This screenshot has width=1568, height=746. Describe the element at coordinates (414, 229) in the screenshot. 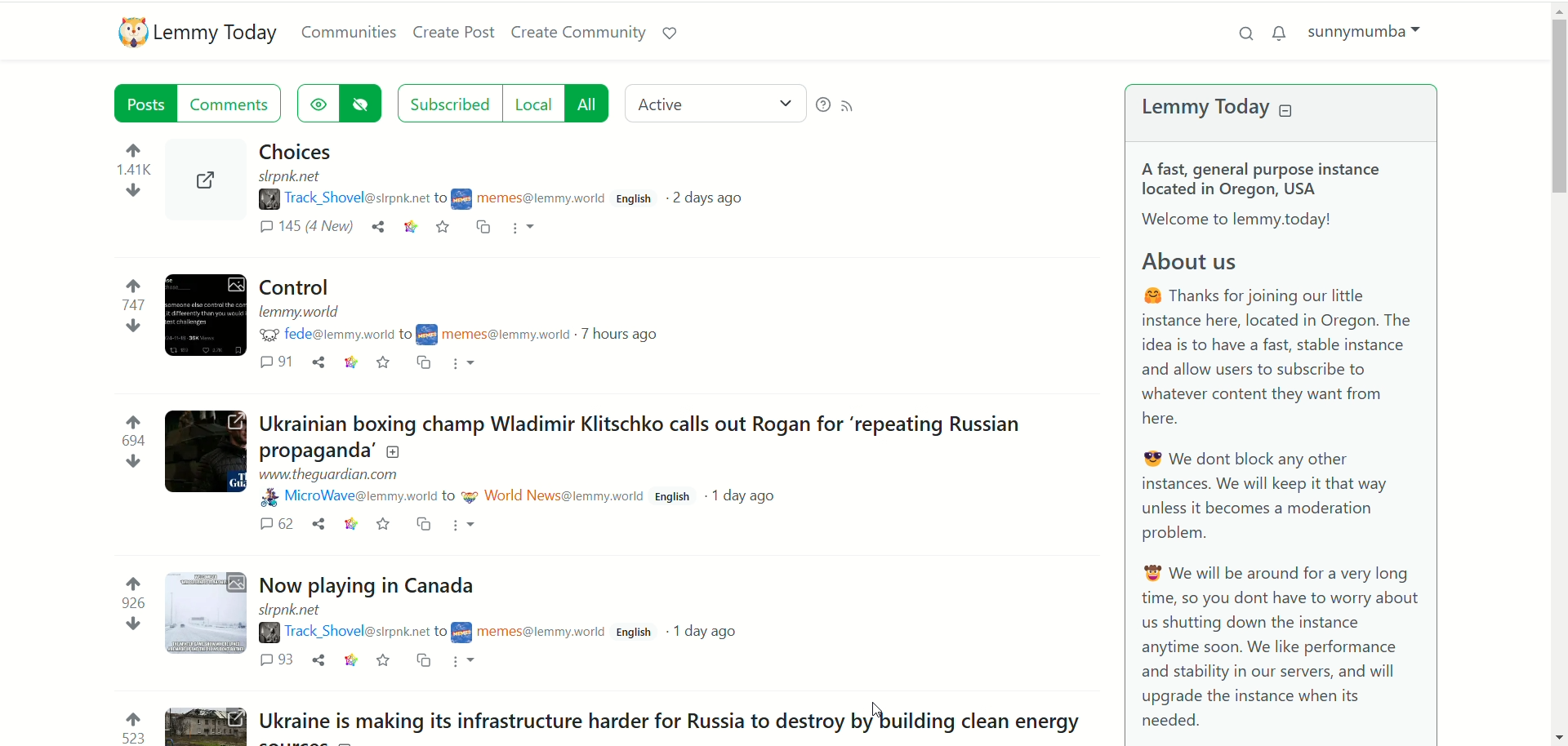

I see `link` at that location.